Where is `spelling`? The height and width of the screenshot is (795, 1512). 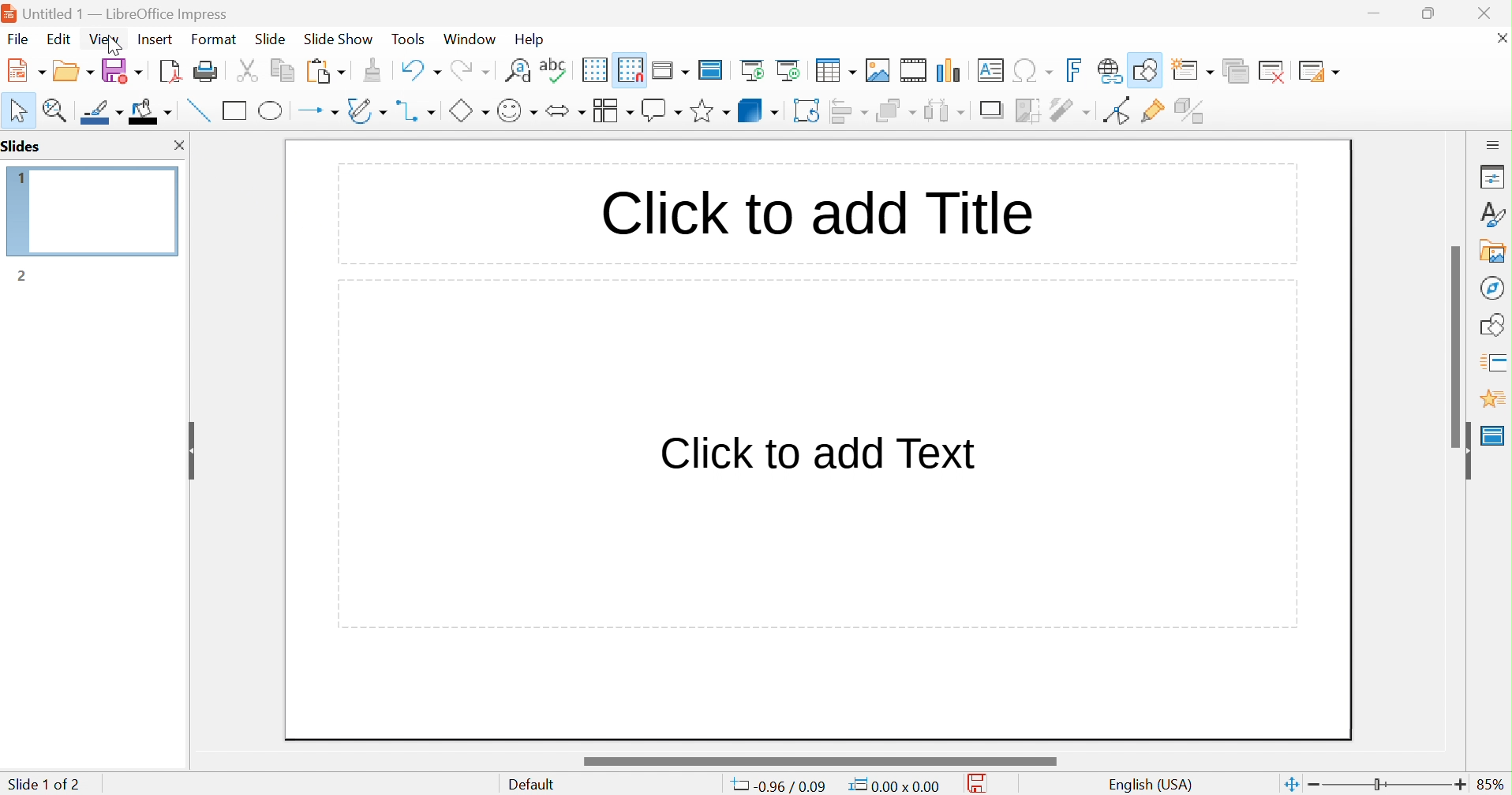
spelling is located at coordinates (553, 66).